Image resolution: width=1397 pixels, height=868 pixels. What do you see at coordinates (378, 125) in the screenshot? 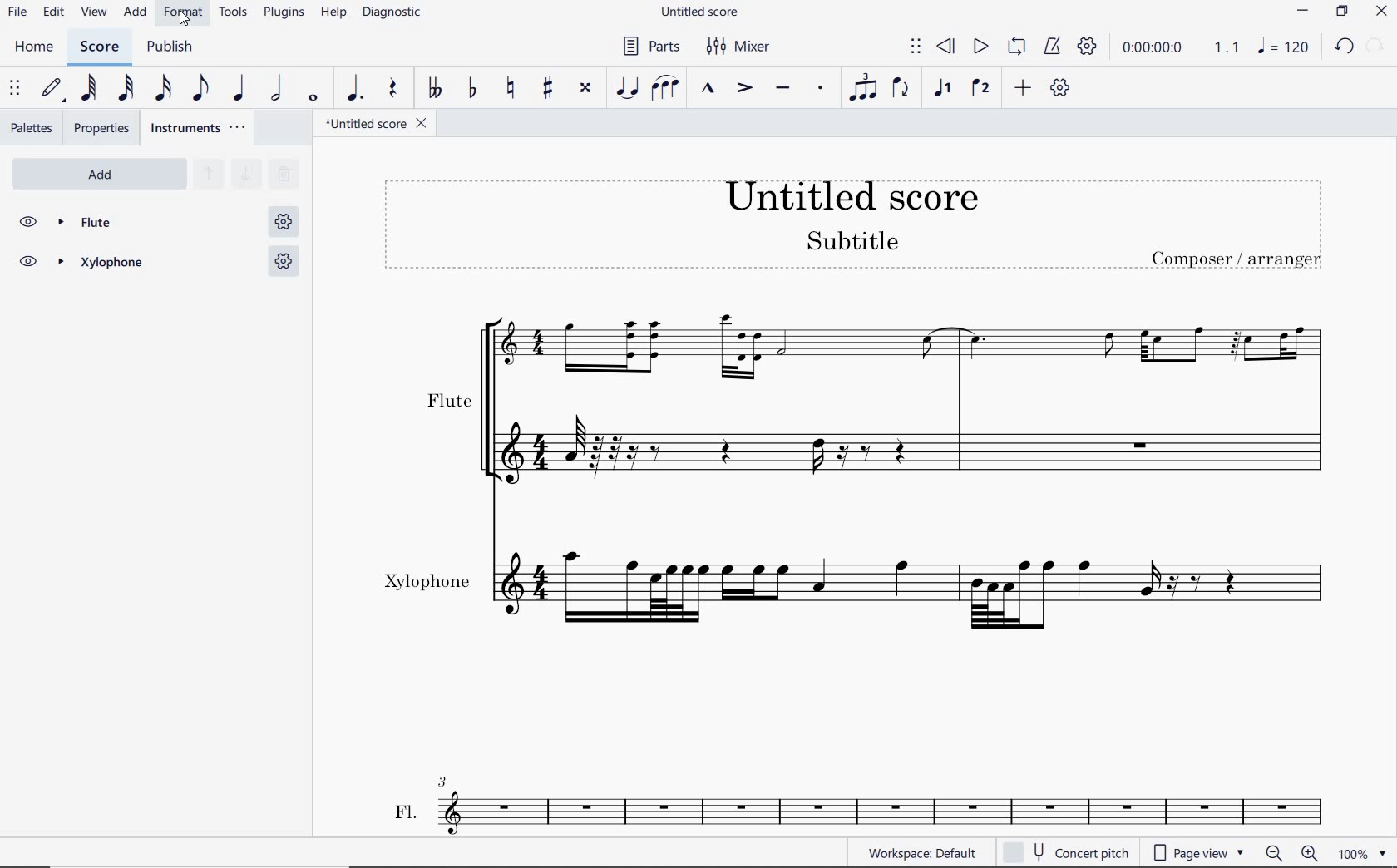
I see `FILE NAME` at bounding box center [378, 125].